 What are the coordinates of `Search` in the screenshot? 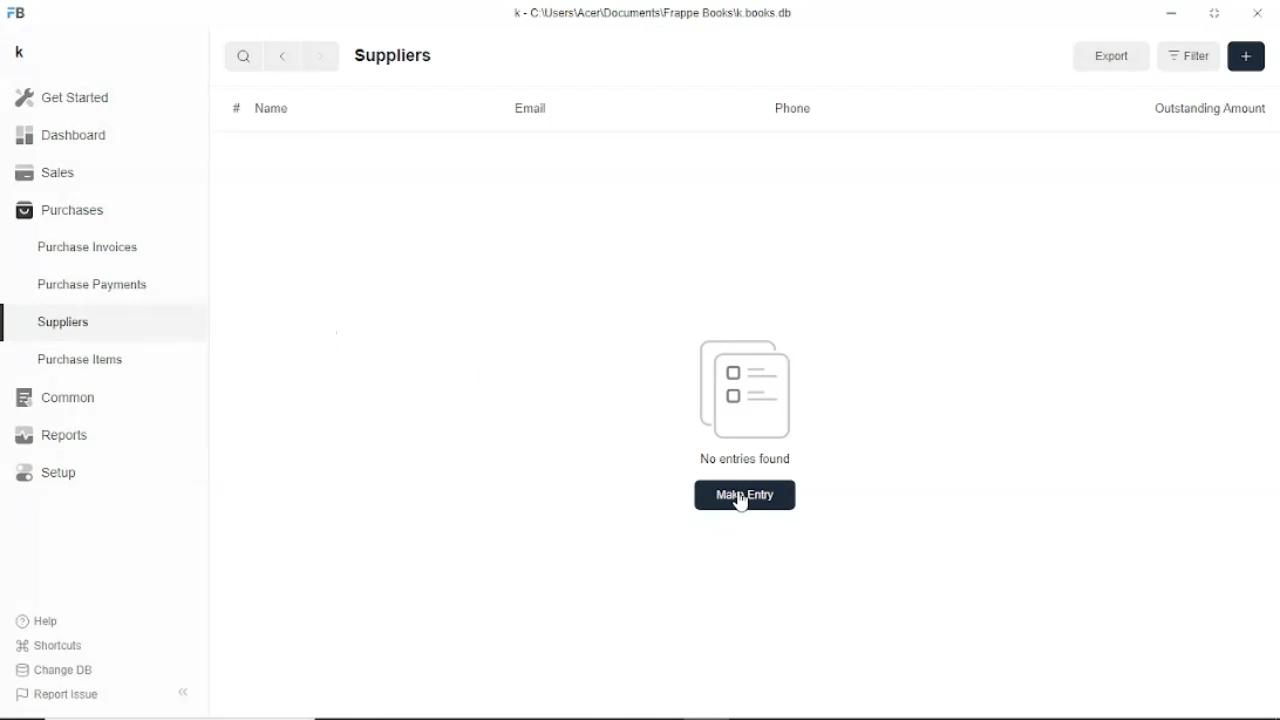 It's located at (244, 56).